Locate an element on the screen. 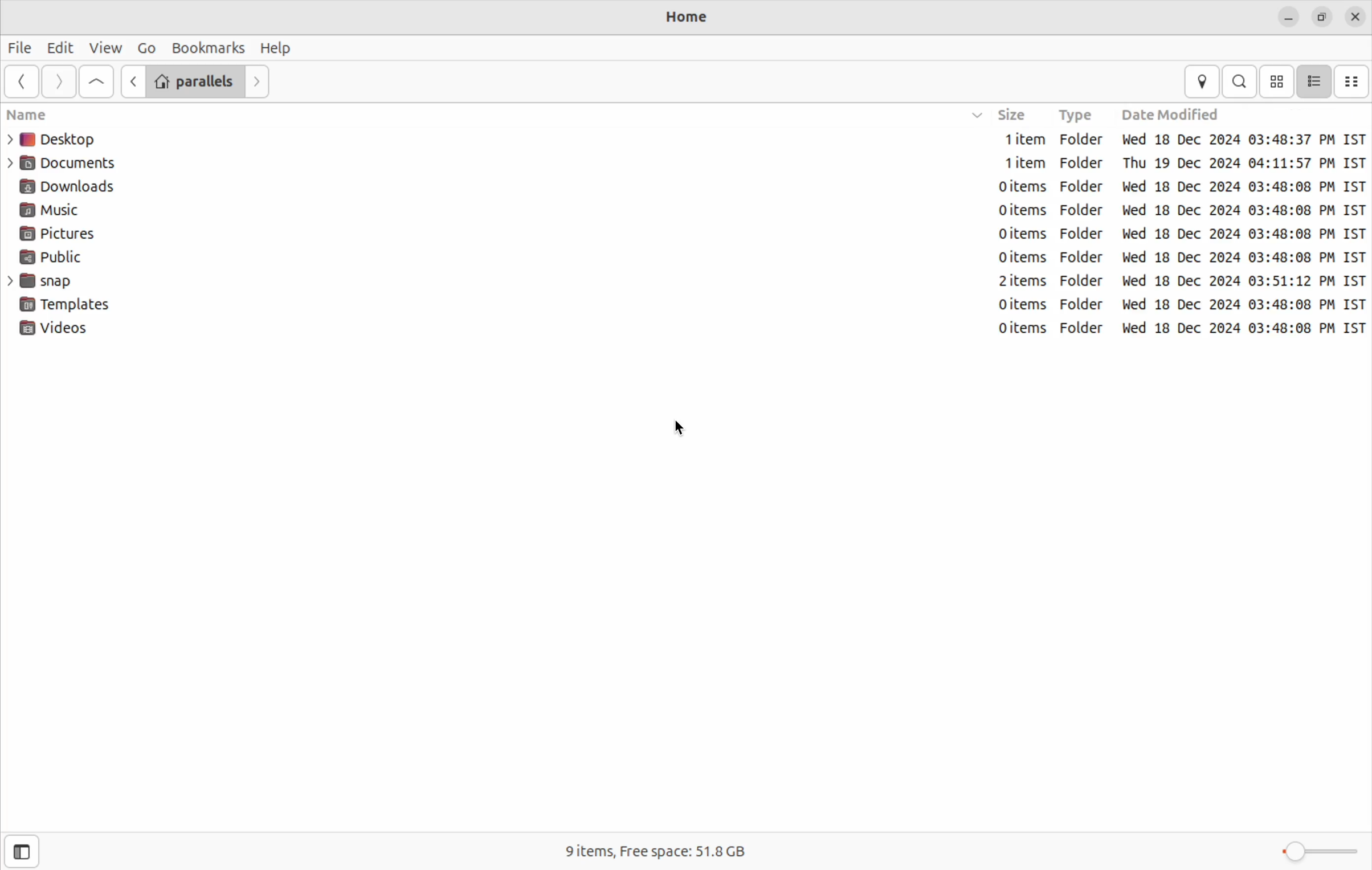 The image size is (1372, 870). 2 items is located at coordinates (1015, 281).